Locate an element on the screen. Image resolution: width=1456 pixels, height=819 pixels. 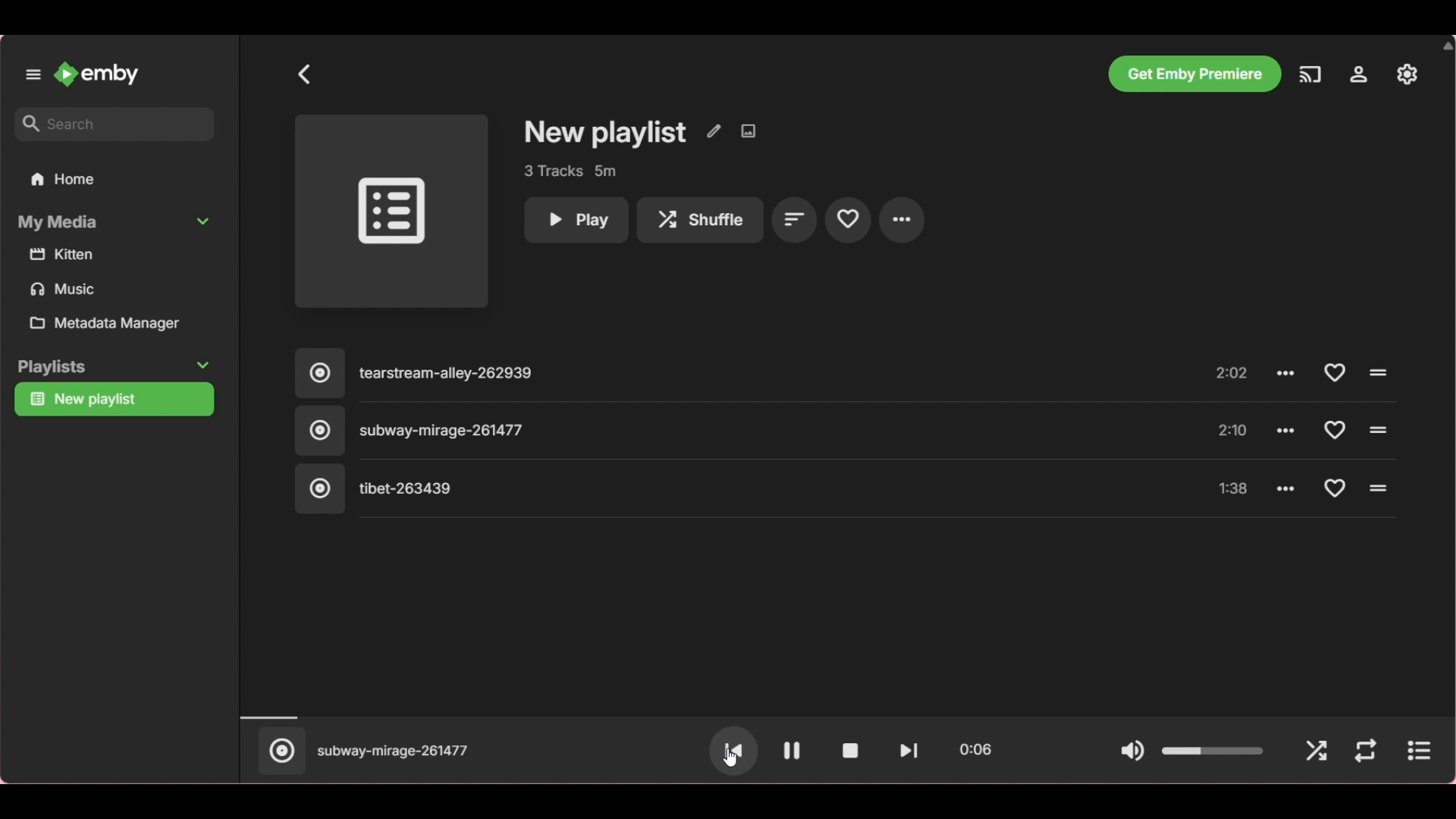
Collapse Playlists is located at coordinates (114, 367).